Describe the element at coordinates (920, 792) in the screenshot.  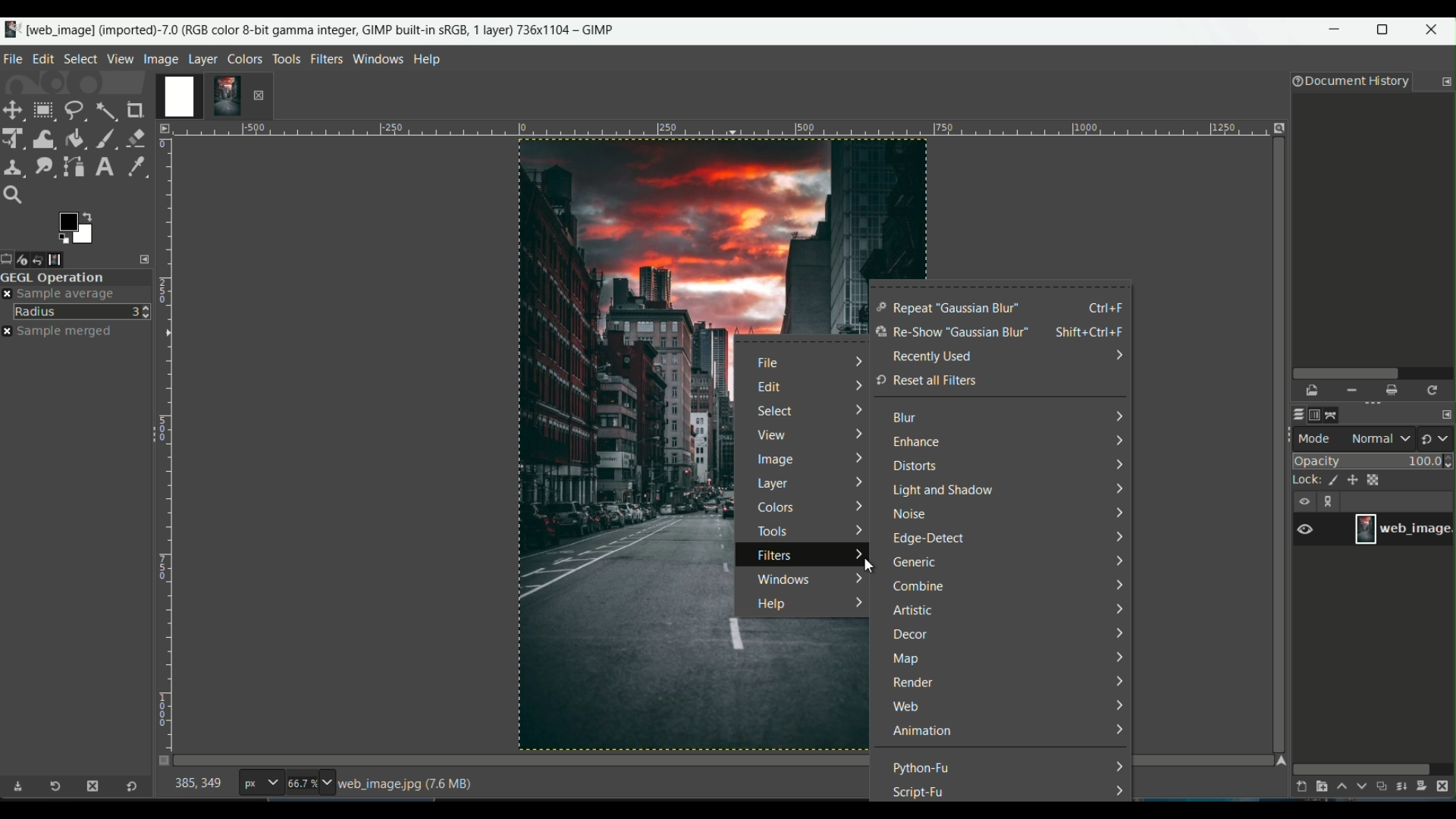
I see `script-fu` at that location.